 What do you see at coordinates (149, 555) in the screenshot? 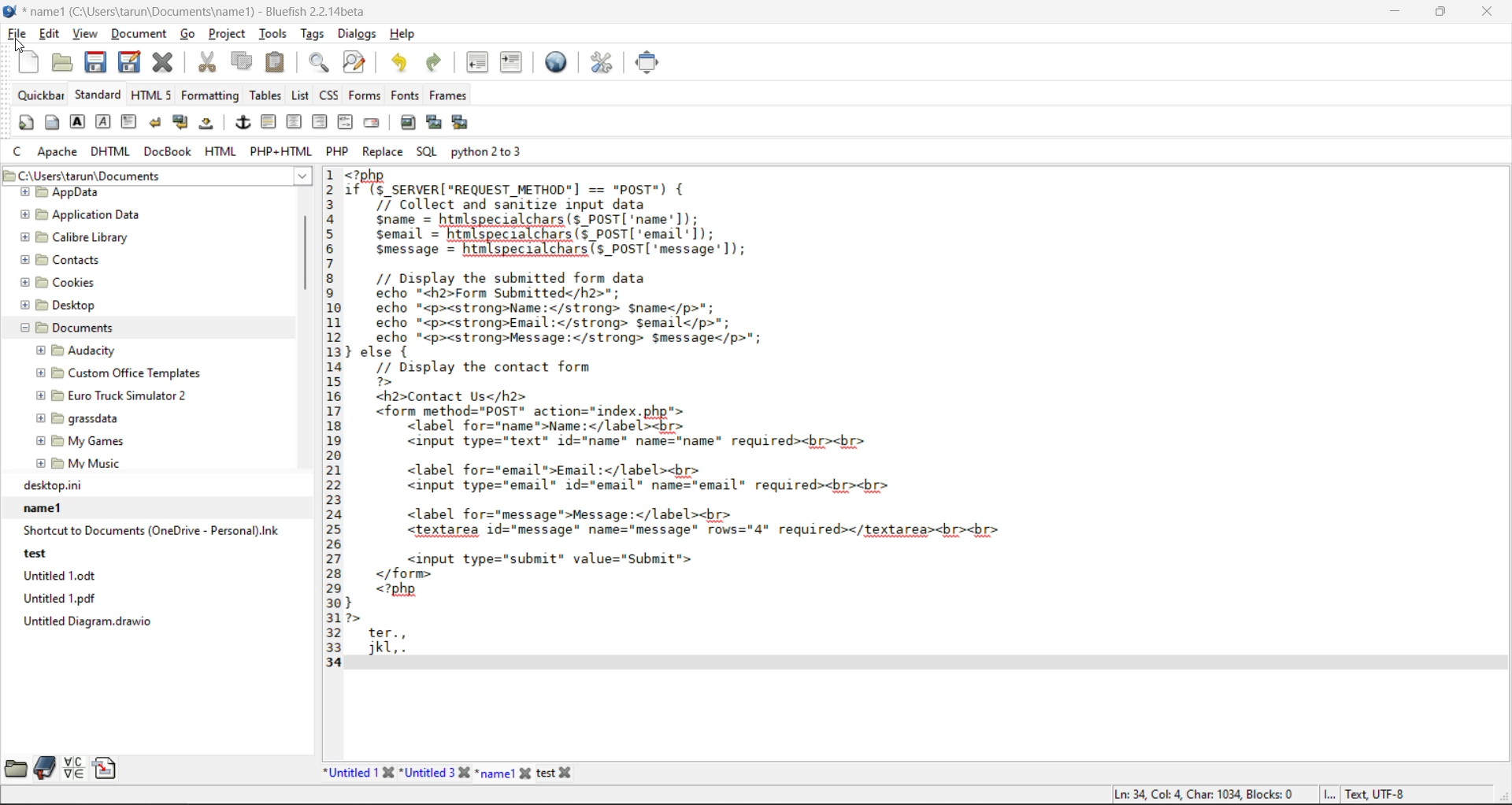
I see `recent files path` at bounding box center [149, 555].